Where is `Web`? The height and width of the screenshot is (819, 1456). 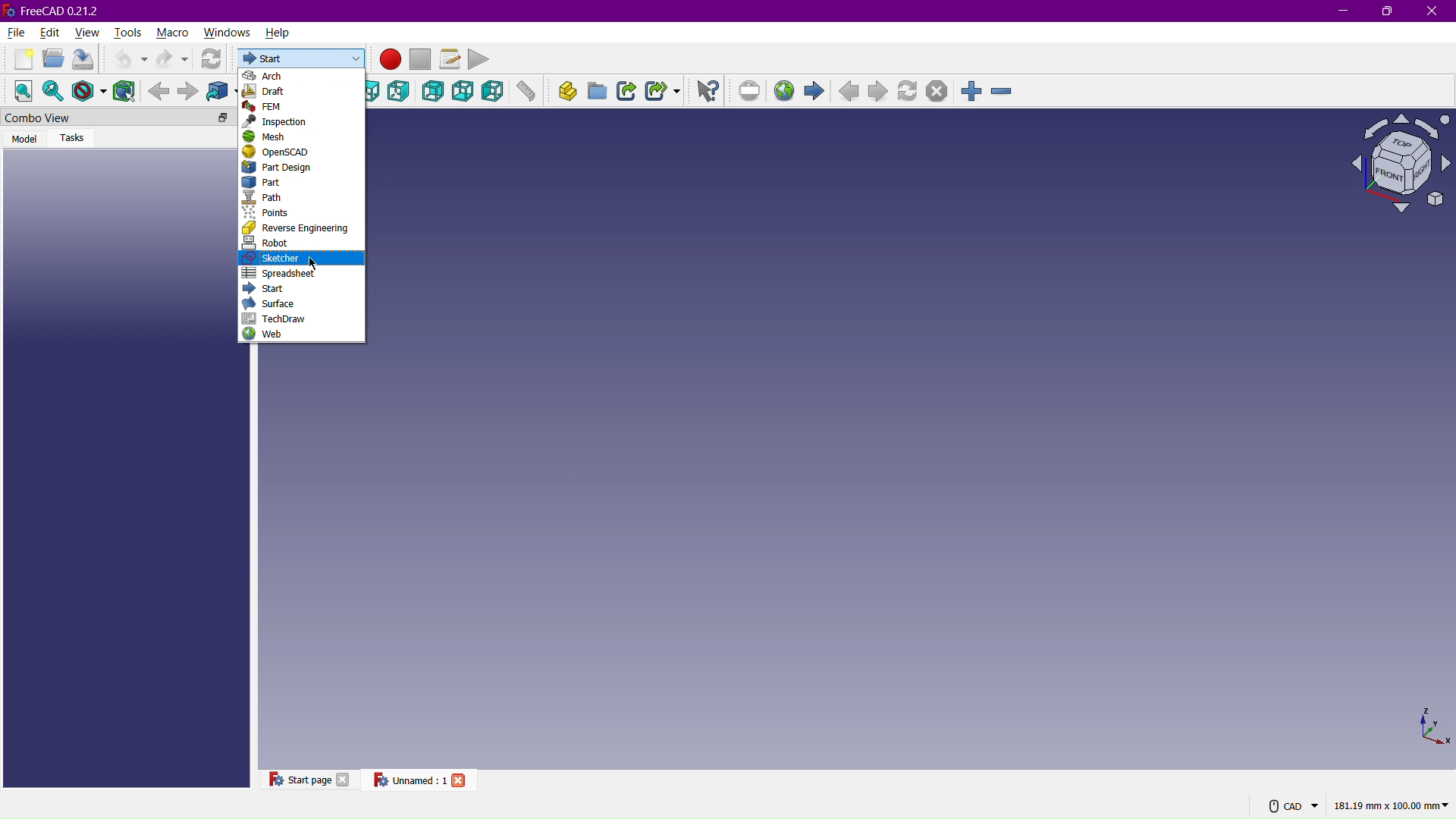
Web is located at coordinates (303, 335).